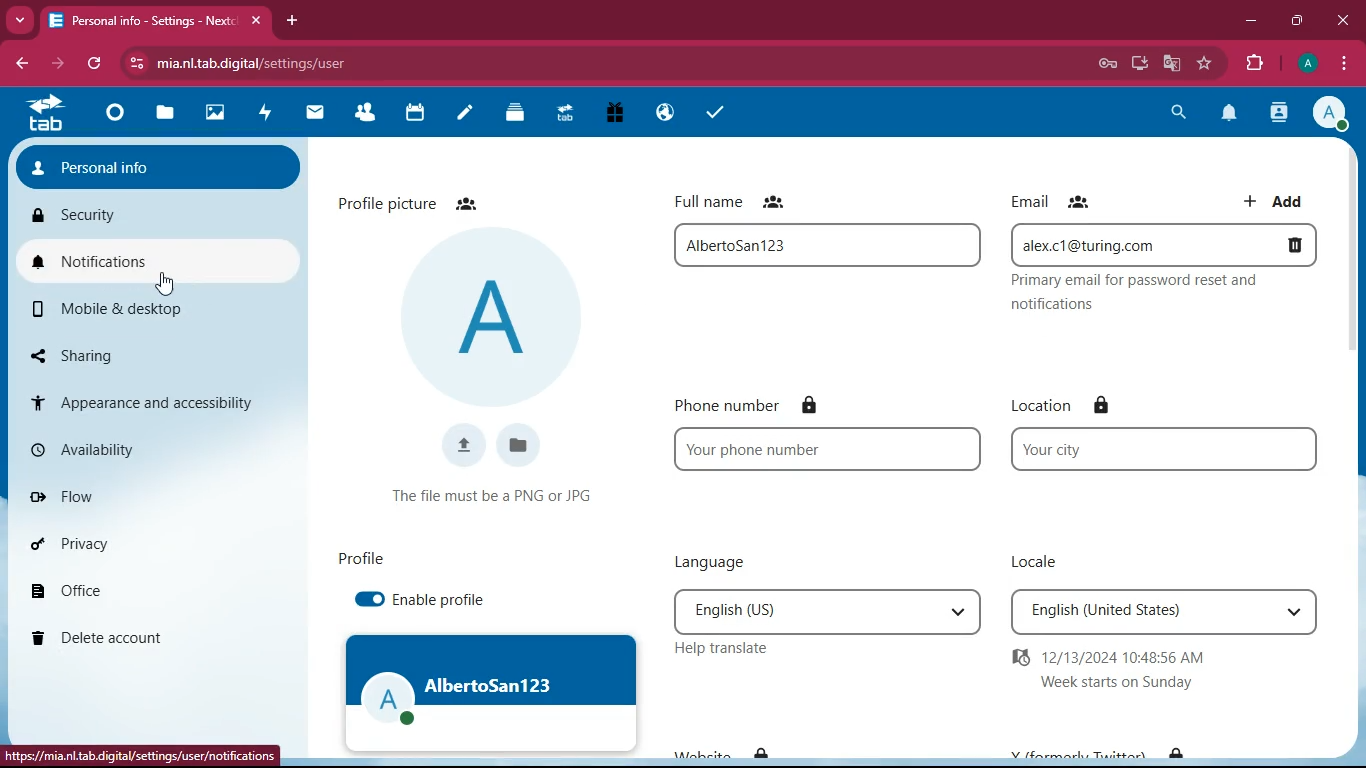  Describe the element at coordinates (255, 22) in the screenshot. I see `close` at that location.